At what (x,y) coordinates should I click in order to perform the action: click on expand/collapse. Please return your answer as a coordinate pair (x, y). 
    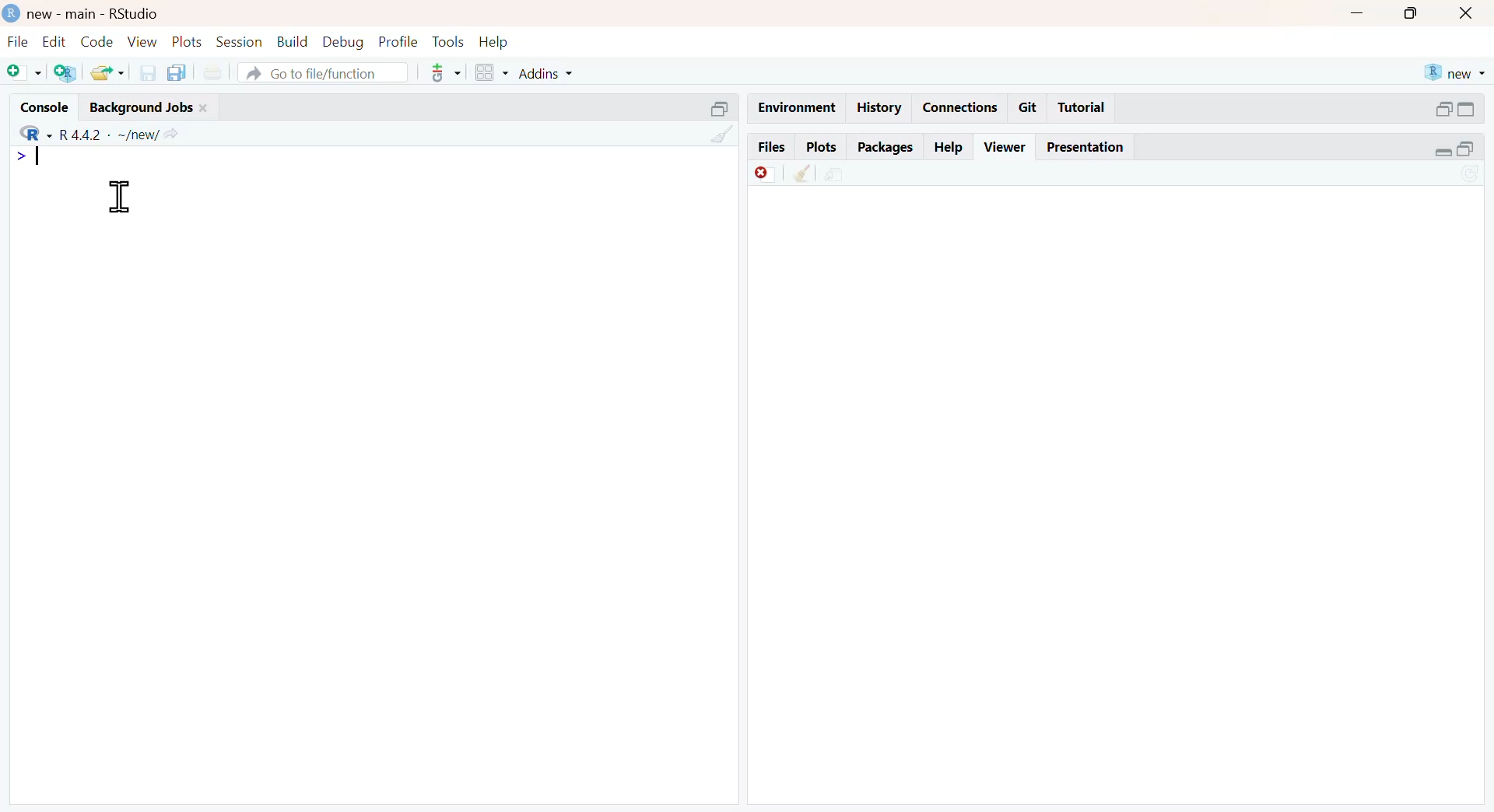
    Looking at the image, I should click on (1443, 152).